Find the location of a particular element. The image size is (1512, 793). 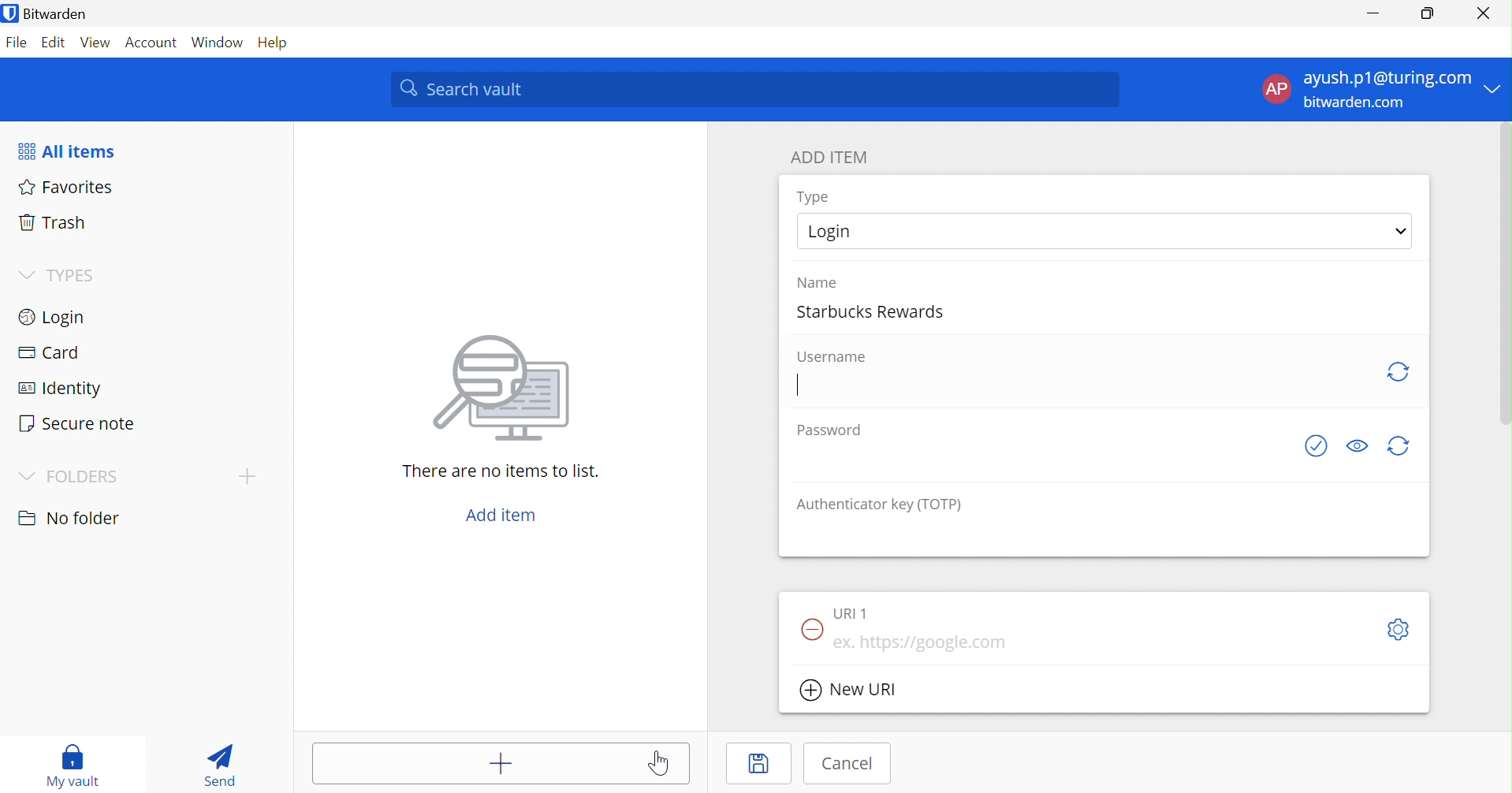

Drop Down is located at coordinates (28, 477).